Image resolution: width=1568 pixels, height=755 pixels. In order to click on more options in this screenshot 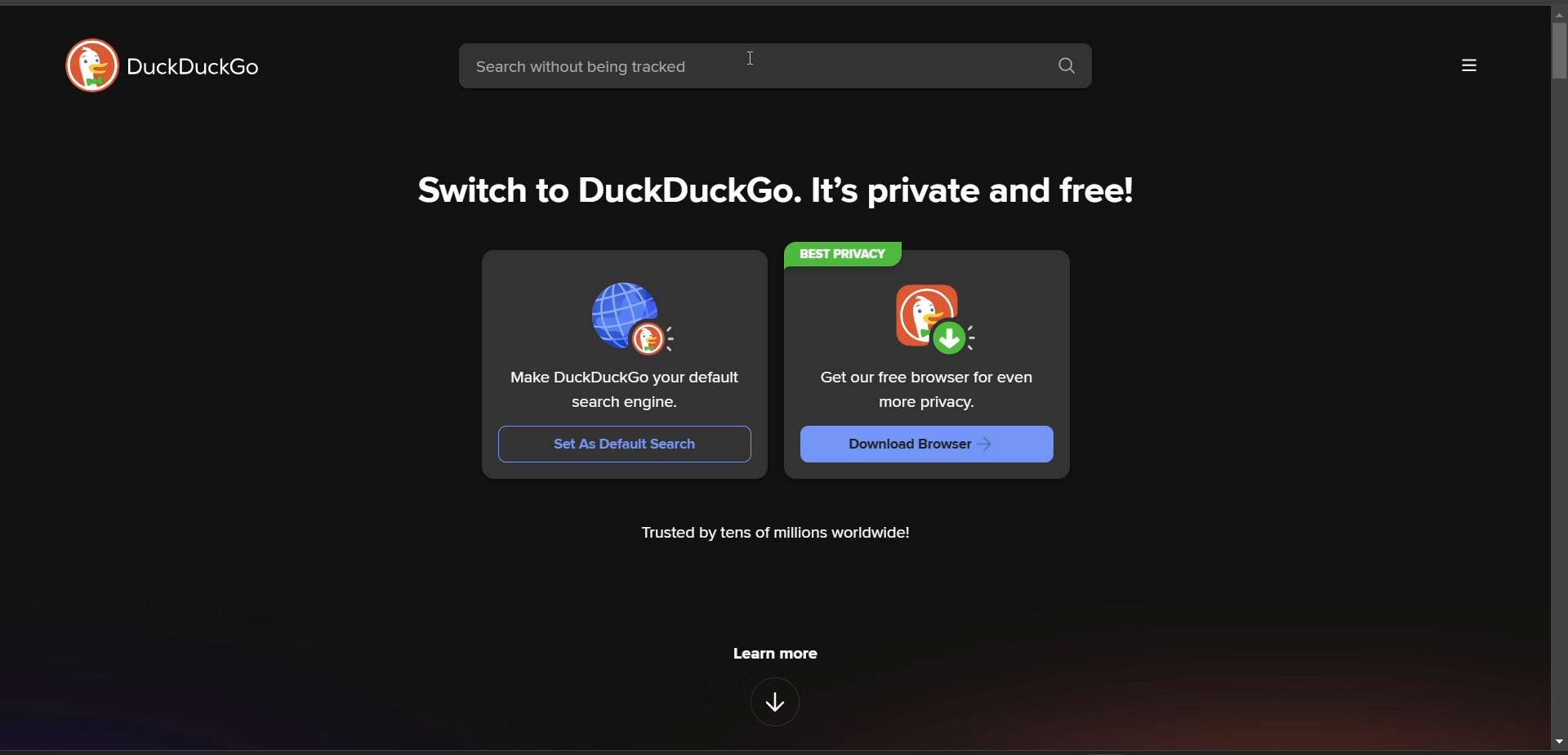, I will do `click(1468, 68)`.